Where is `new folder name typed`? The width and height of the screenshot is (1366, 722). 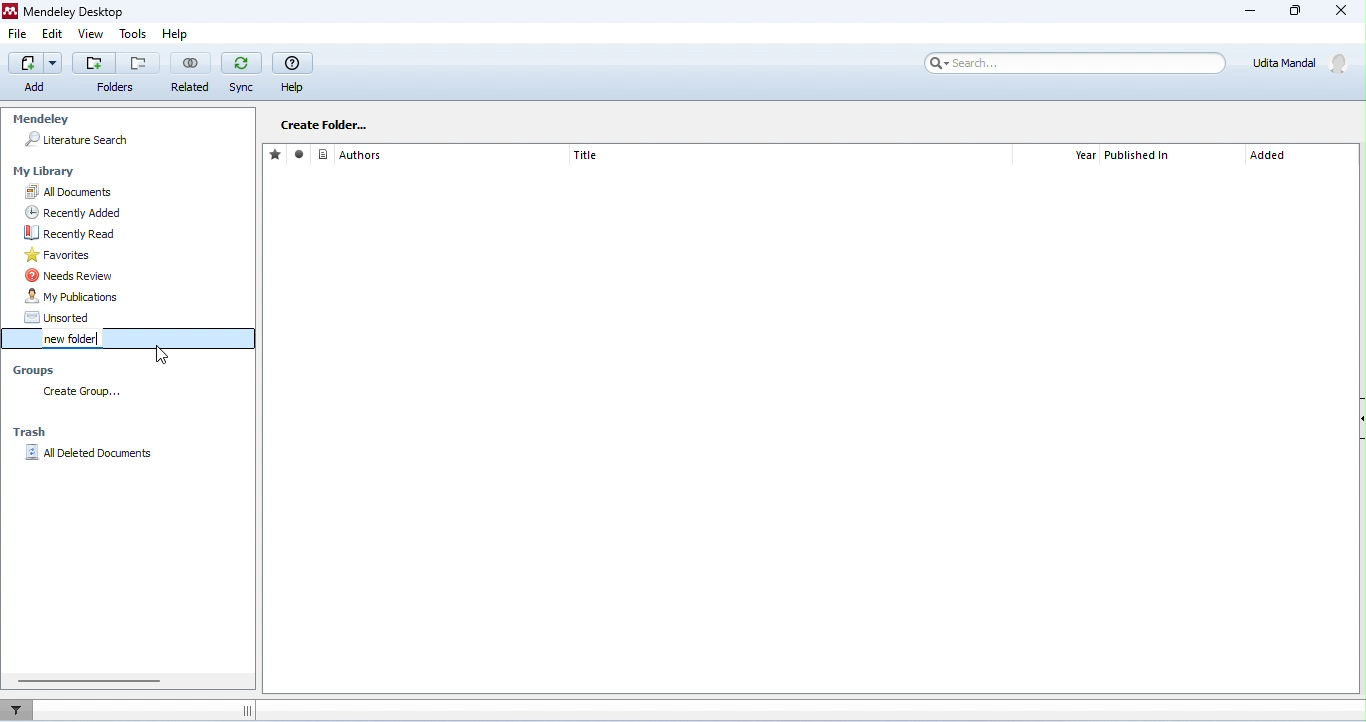 new folder name typed is located at coordinates (67, 339).